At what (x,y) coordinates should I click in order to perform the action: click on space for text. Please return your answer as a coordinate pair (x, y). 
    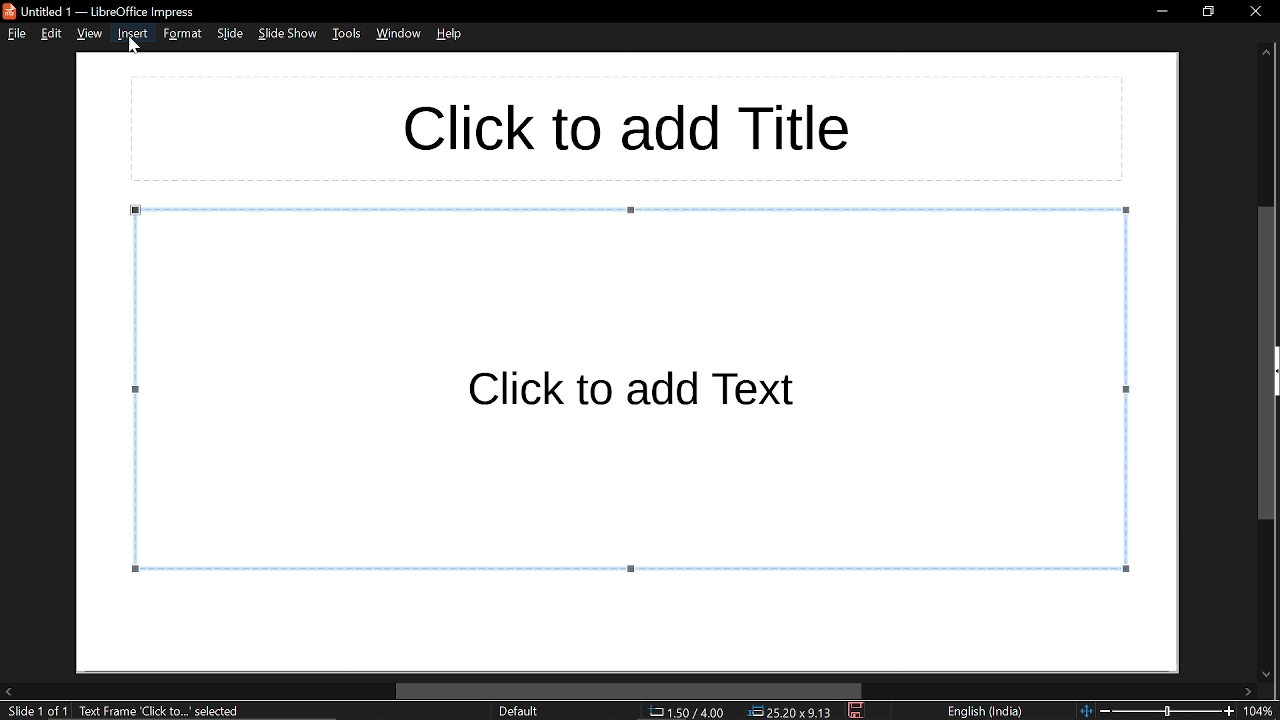
    Looking at the image, I should click on (630, 389).